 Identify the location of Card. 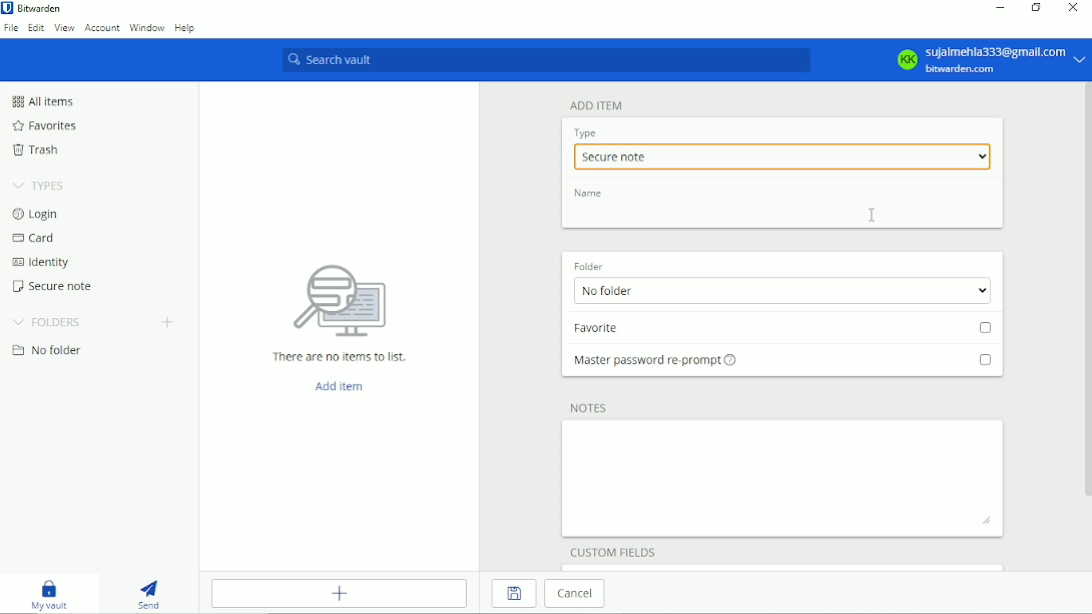
(33, 239).